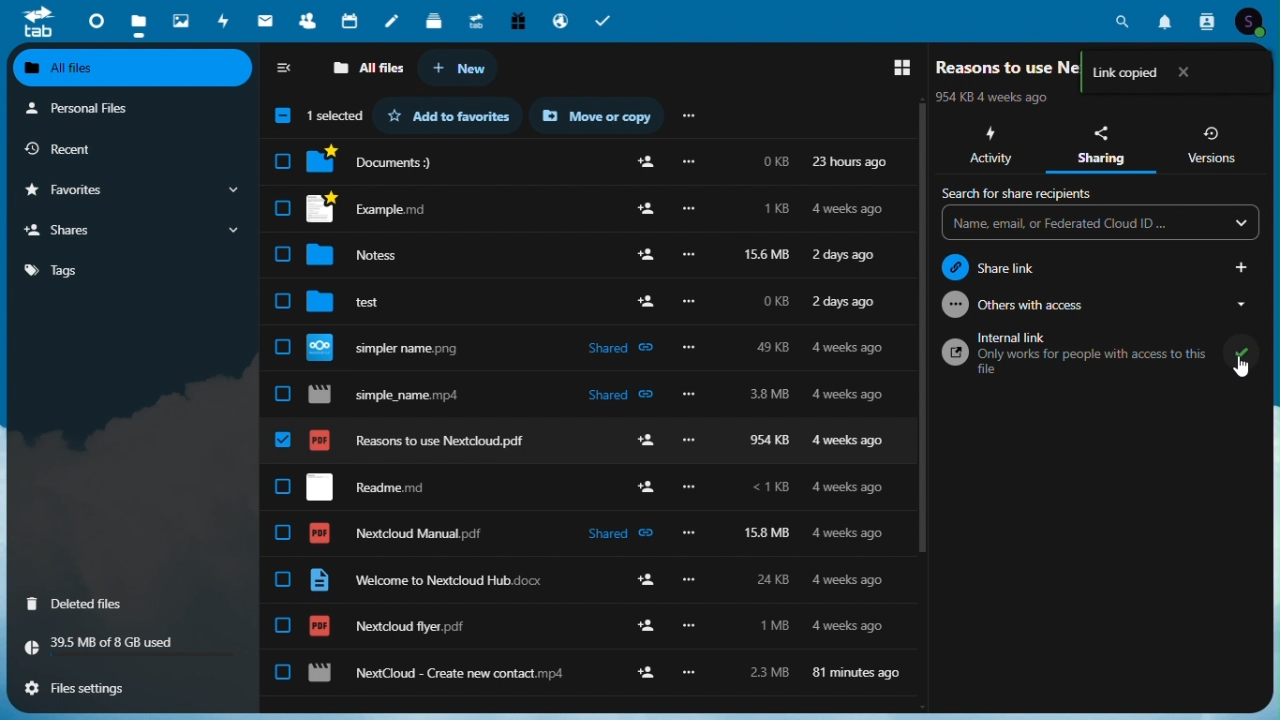 The width and height of the screenshot is (1280, 720). I want to click on more options, so click(692, 628).